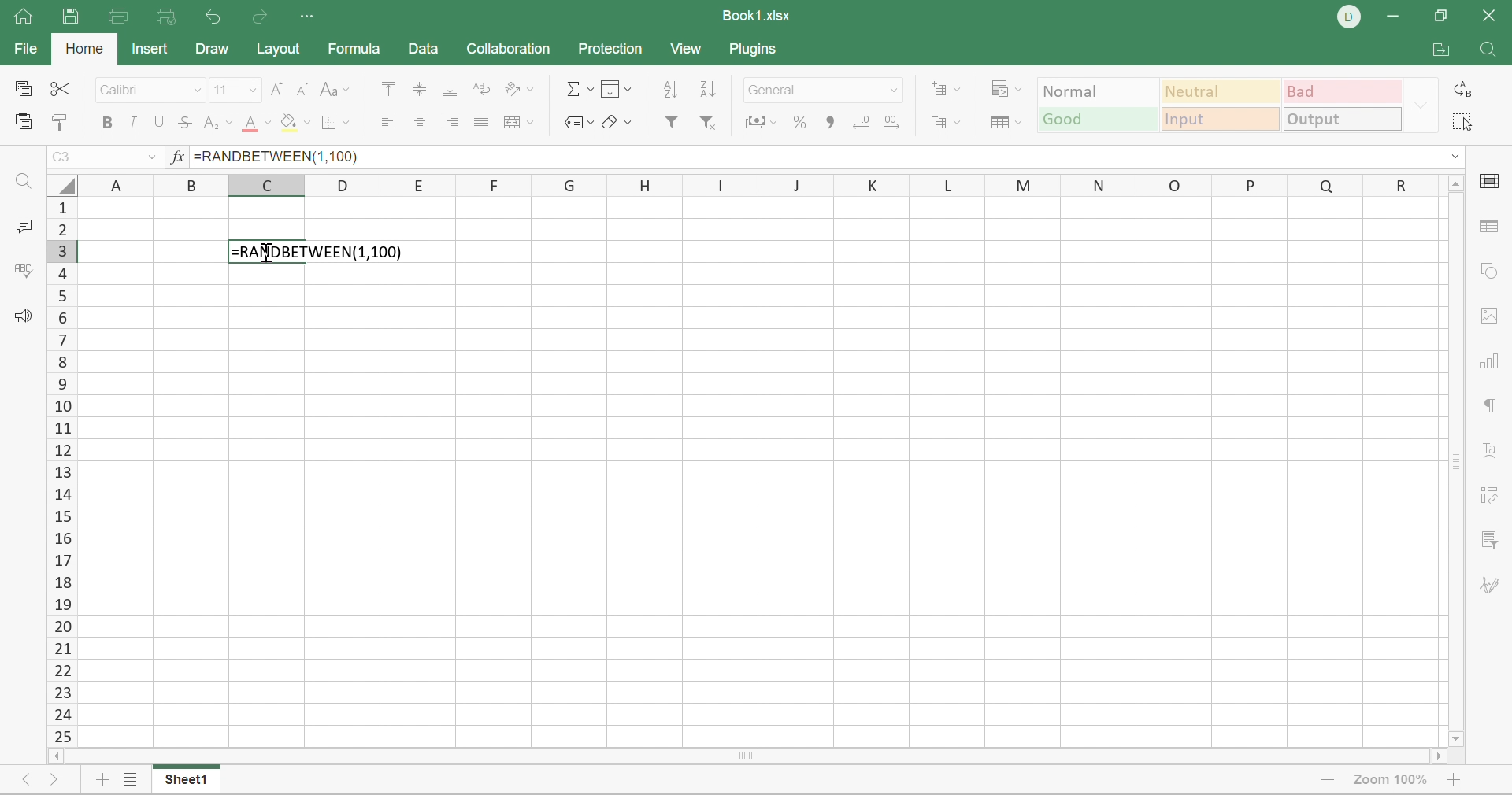 This screenshot has height=795, width=1512. What do you see at coordinates (101, 781) in the screenshot?
I see `Add sheet` at bounding box center [101, 781].